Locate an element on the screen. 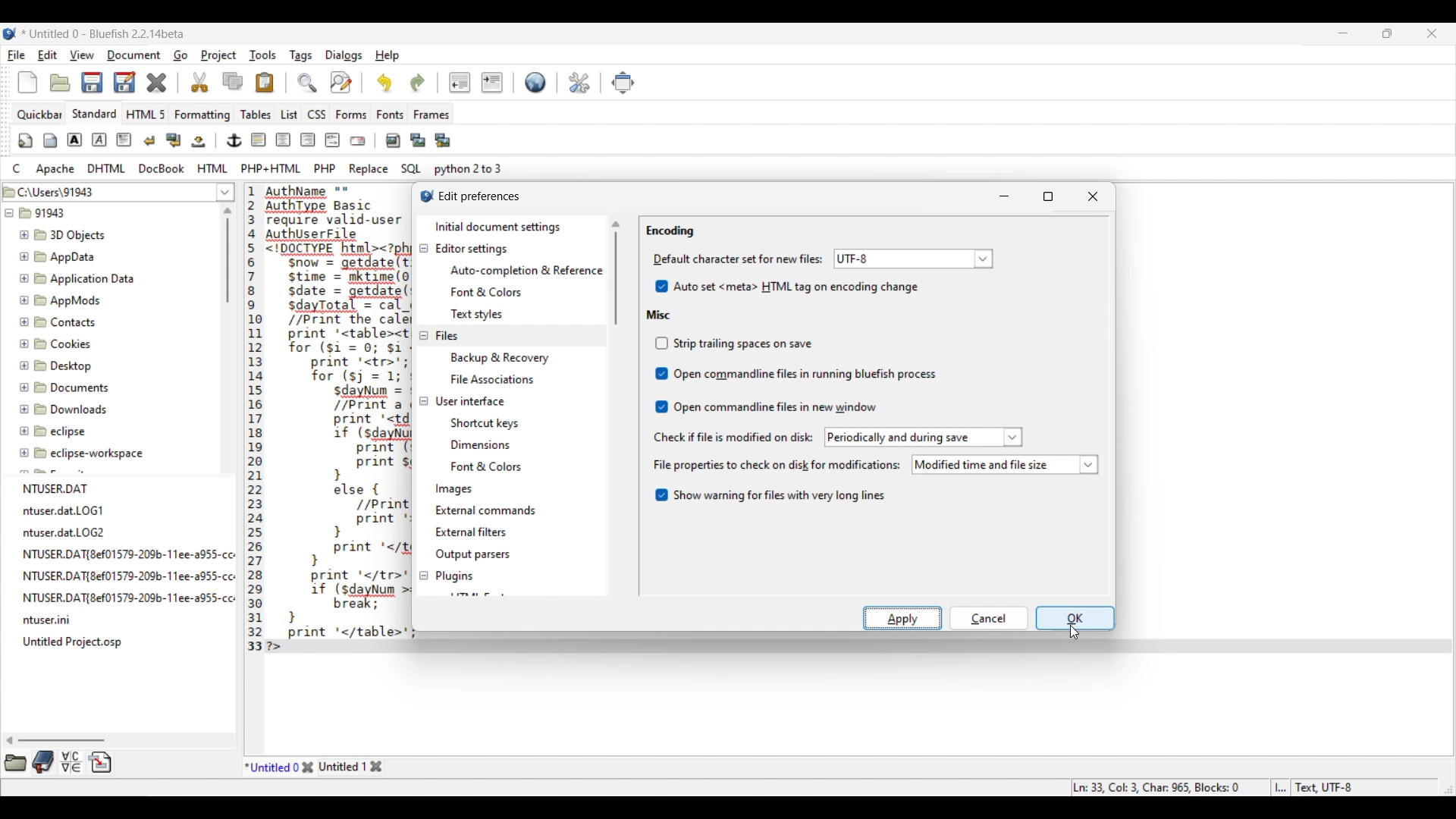 This screenshot has height=819, width=1456. Toggle for warning about long files is located at coordinates (770, 494).